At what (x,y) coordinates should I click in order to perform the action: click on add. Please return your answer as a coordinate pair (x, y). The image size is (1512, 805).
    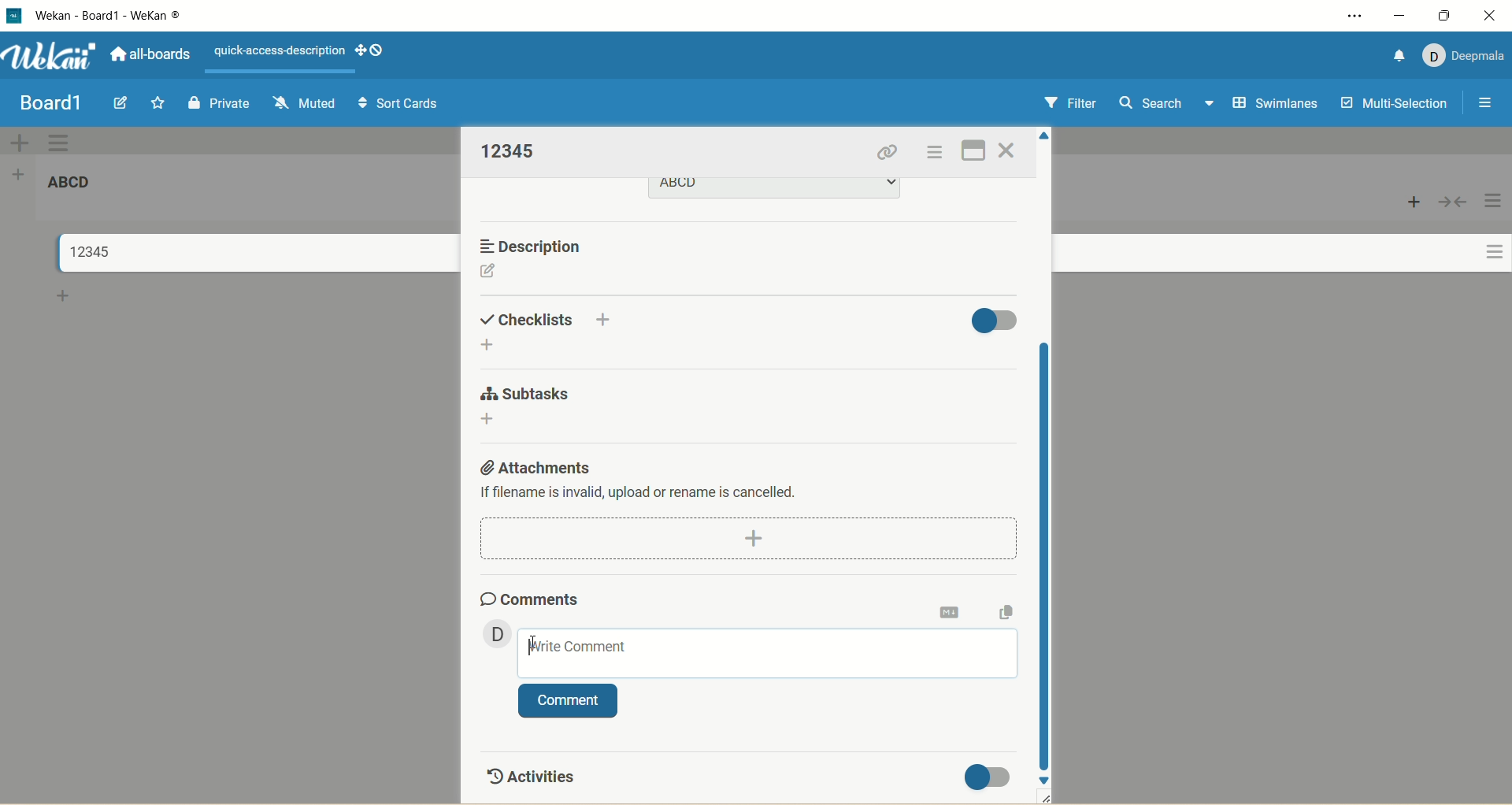
    Looking at the image, I should click on (492, 346).